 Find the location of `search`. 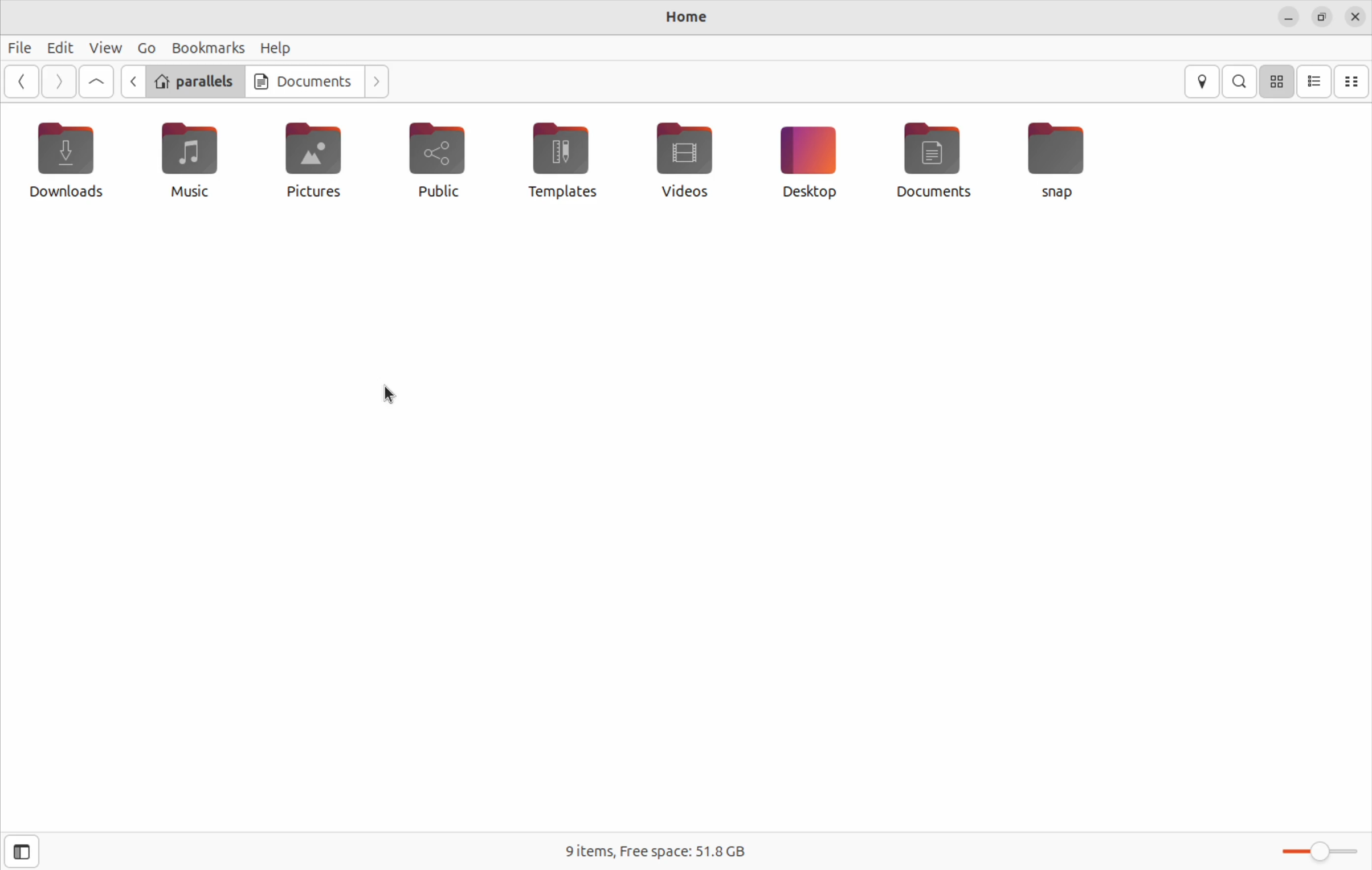

search is located at coordinates (1239, 81).